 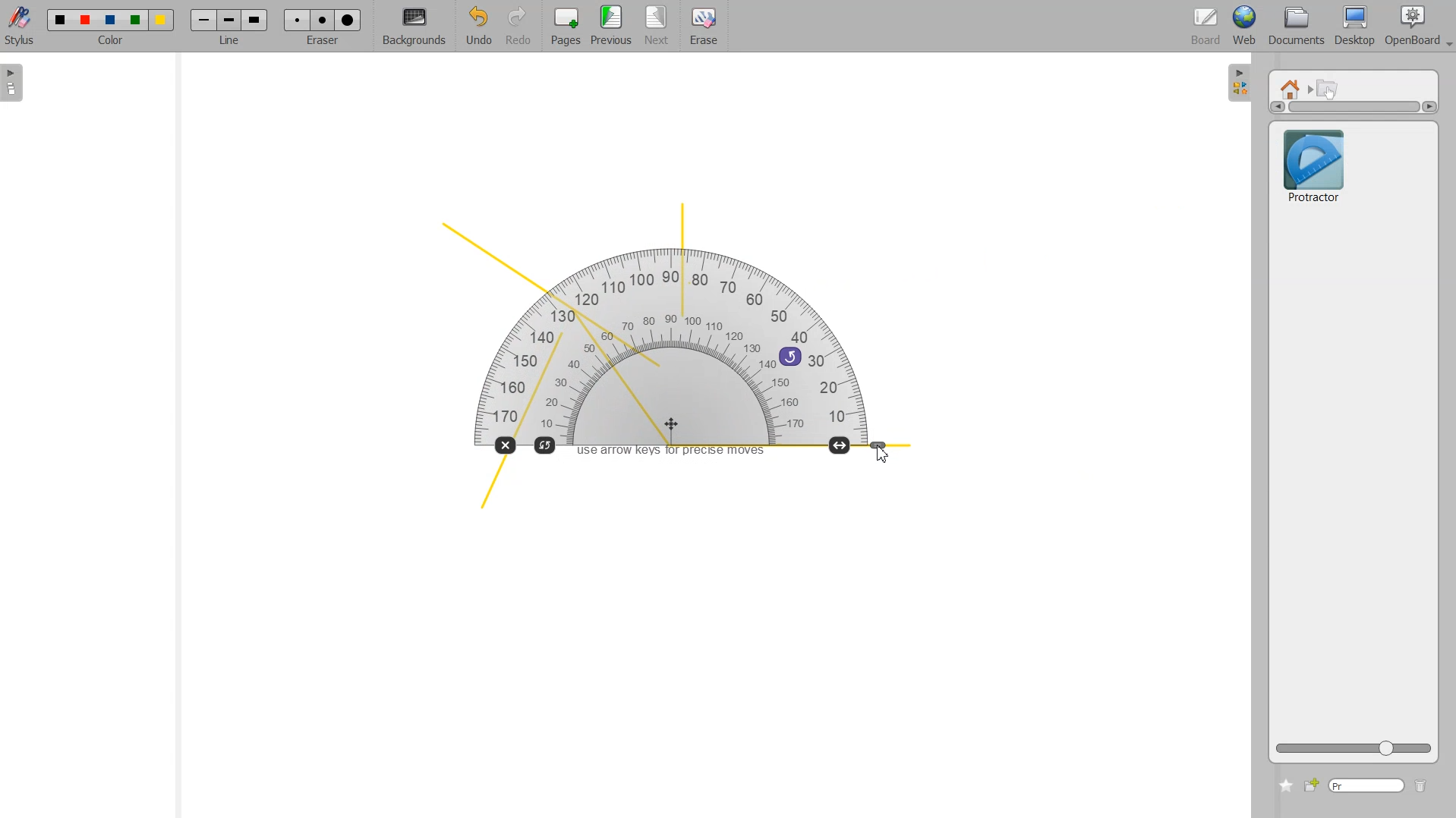 I want to click on Angle Scale, so click(x=879, y=446).